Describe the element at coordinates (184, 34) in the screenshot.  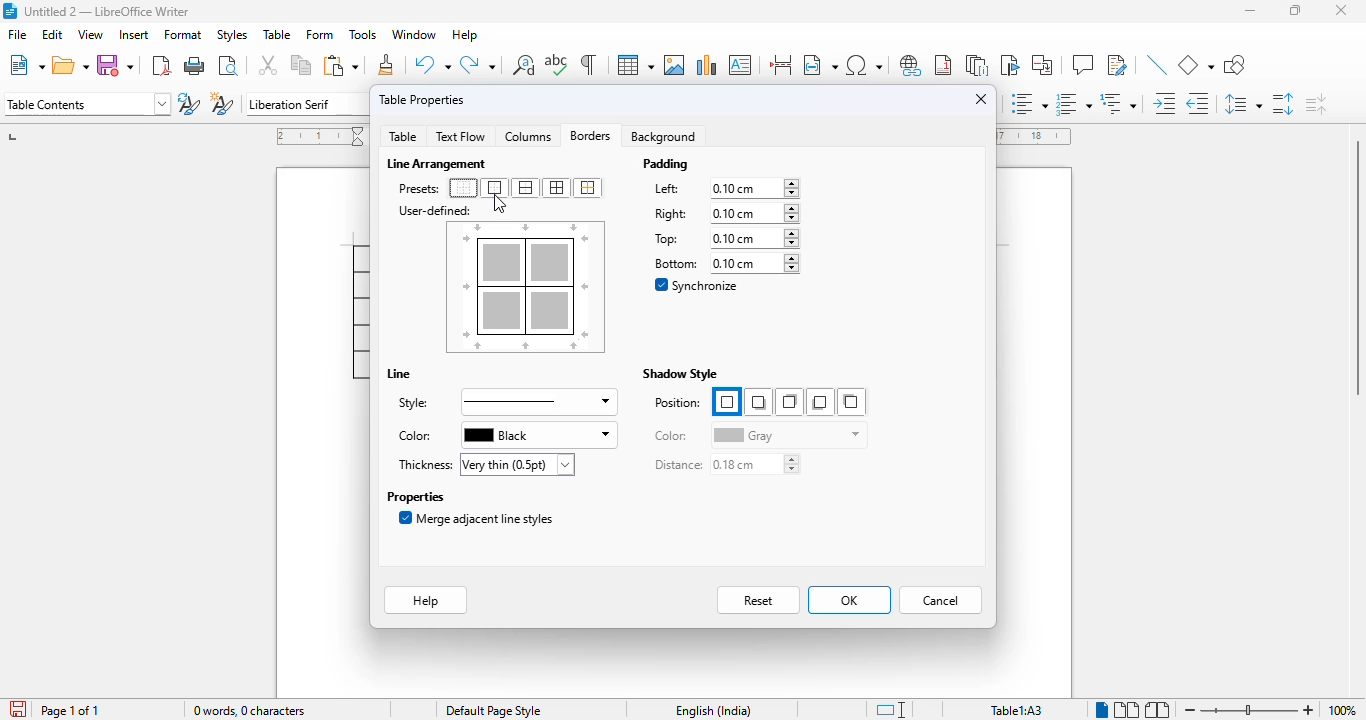
I see `format` at that location.